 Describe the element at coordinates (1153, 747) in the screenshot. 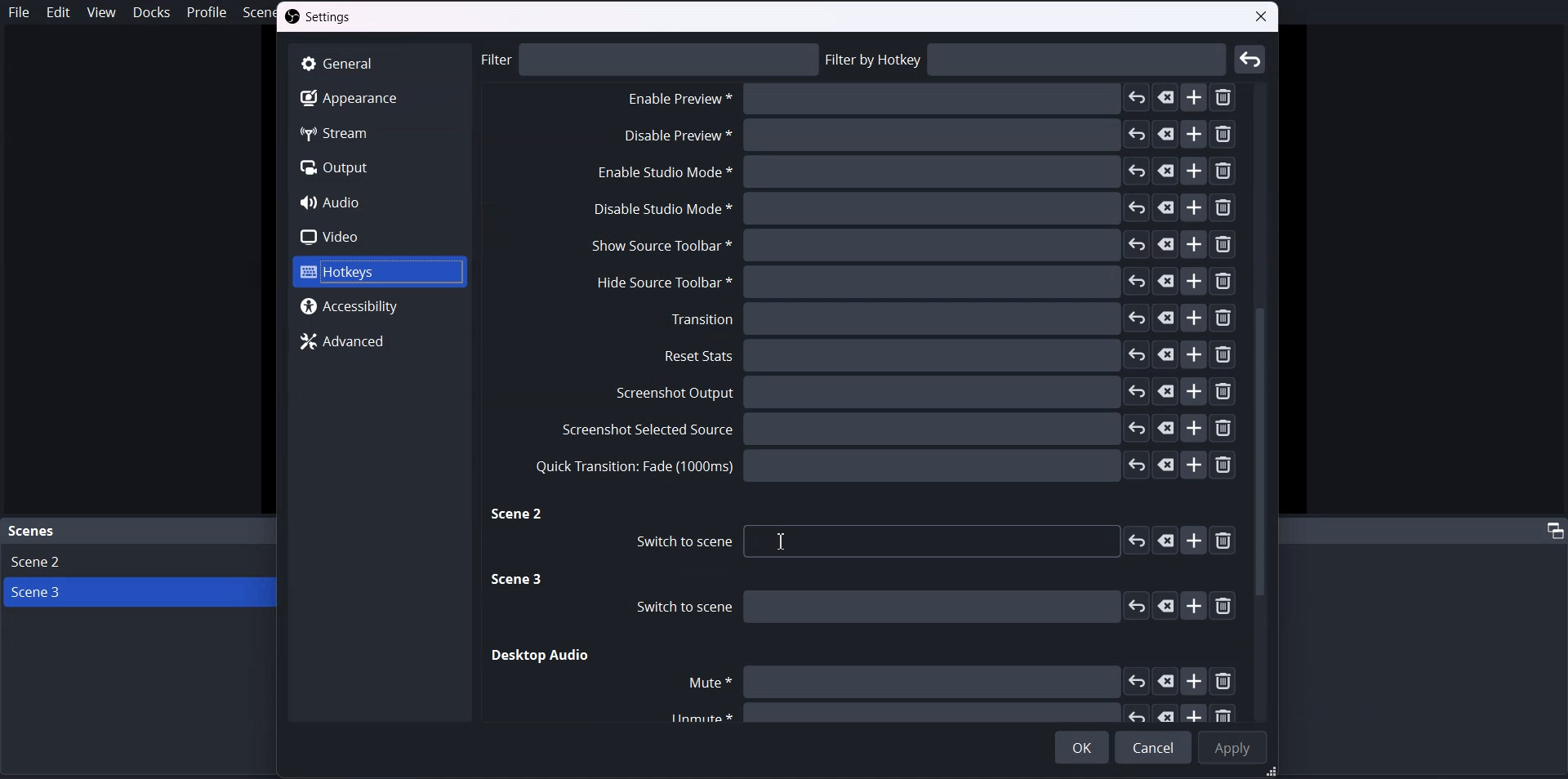

I see `Cancel` at that location.